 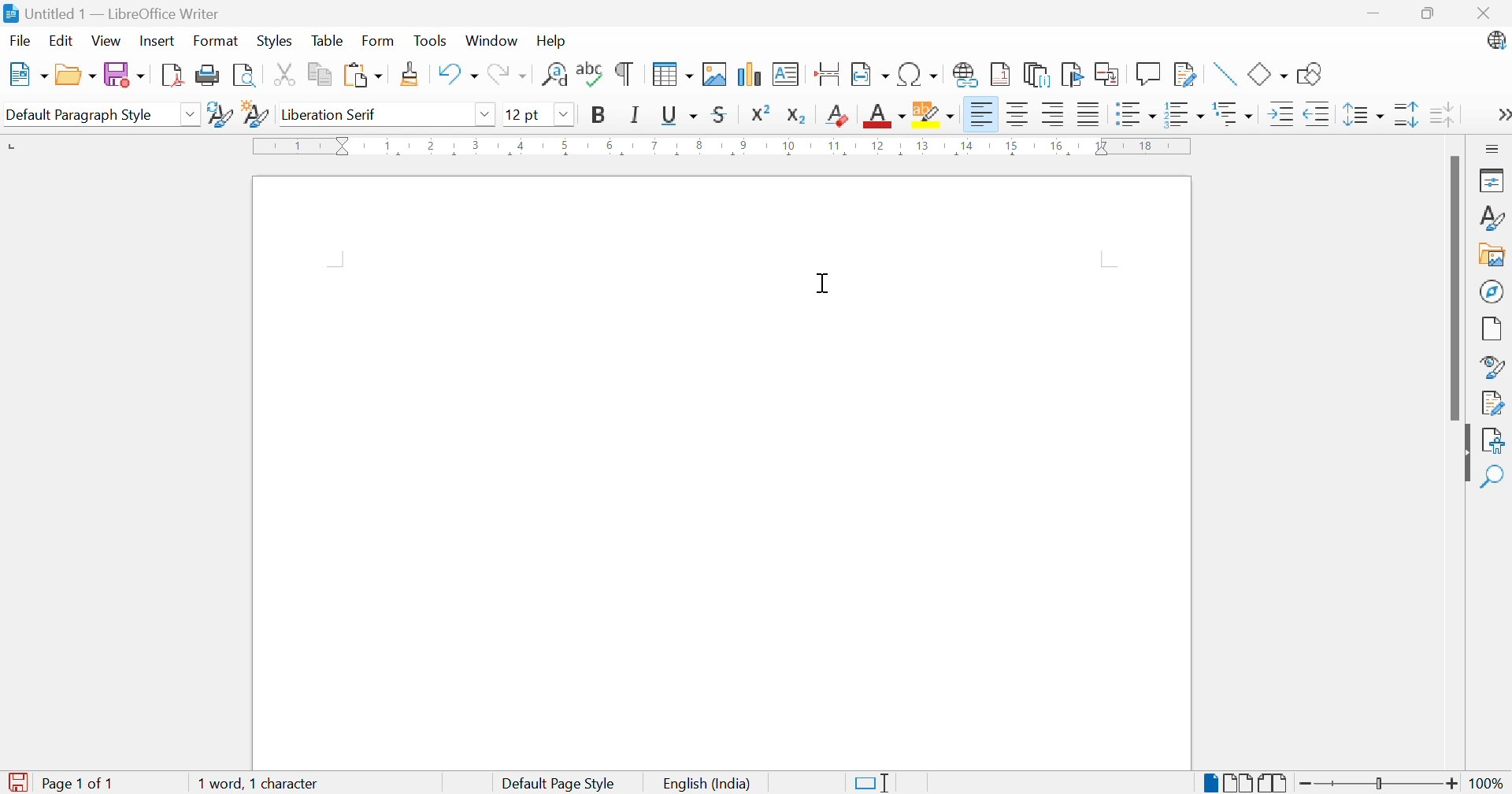 I want to click on Gallery, so click(x=1492, y=256).